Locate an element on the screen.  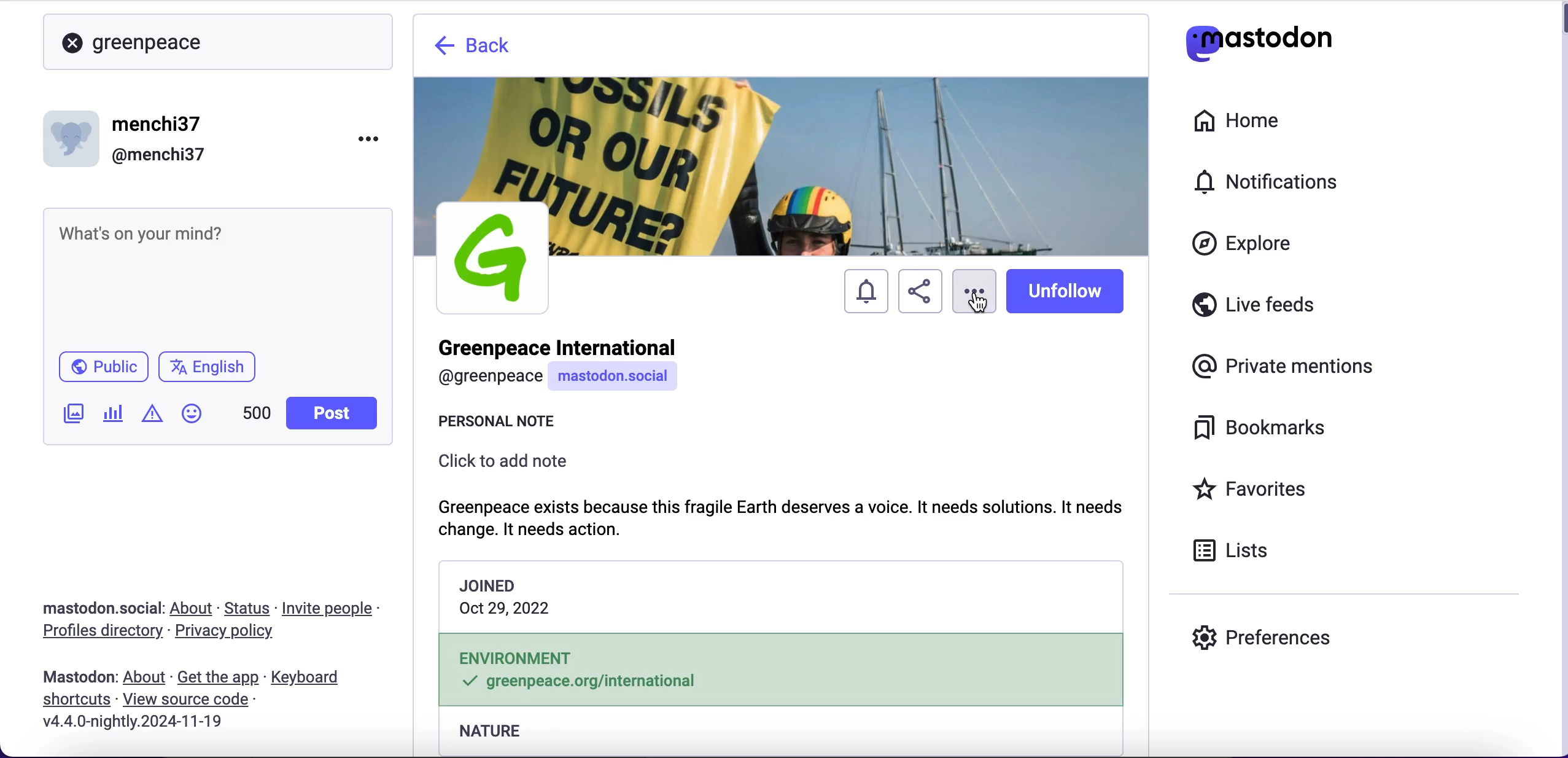
keyboard is located at coordinates (309, 679).